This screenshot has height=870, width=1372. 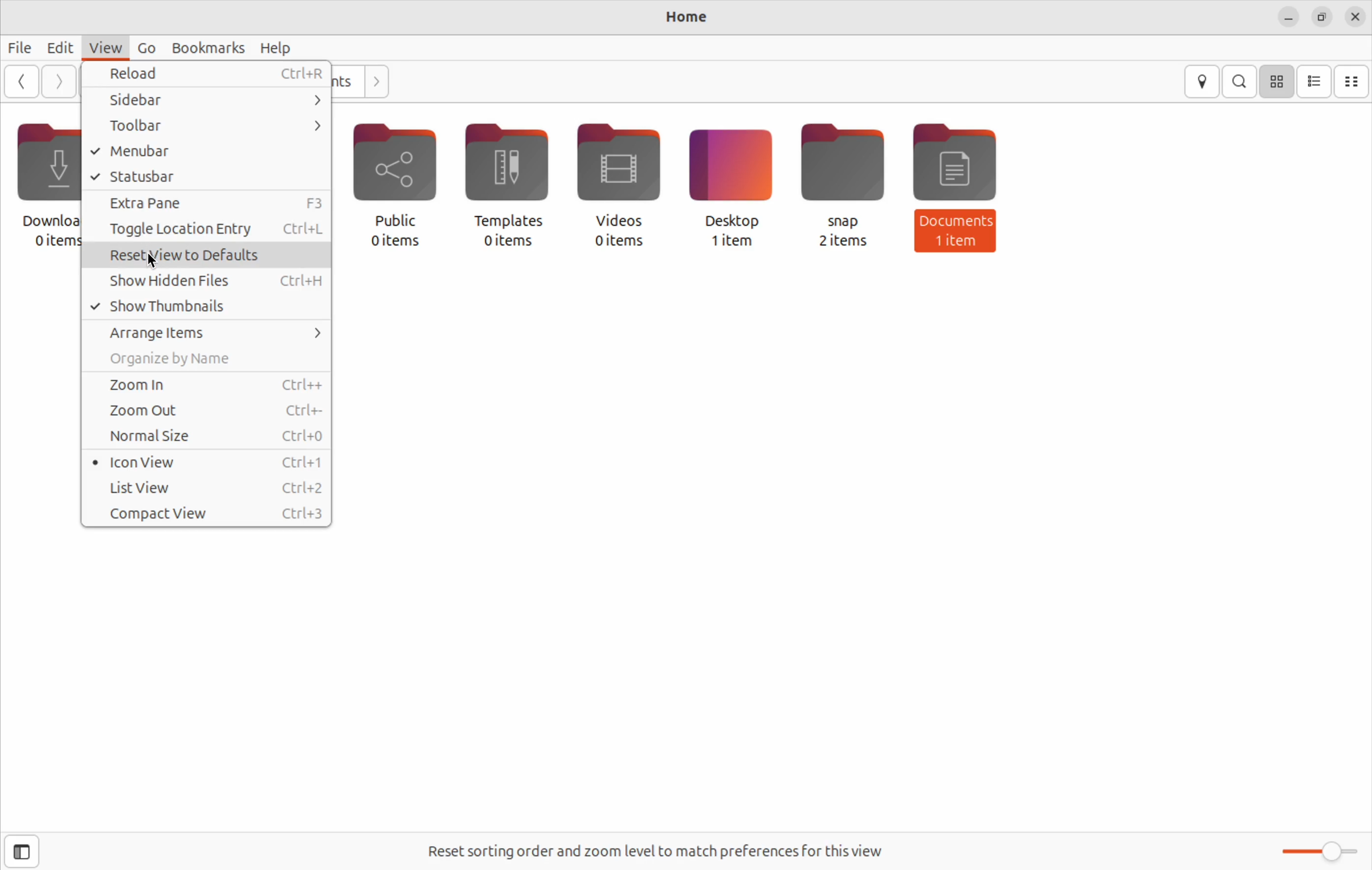 What do you see at coordinates (958, 245) in the screenshot?
I see `1 item` at bounding box center [958, 245].